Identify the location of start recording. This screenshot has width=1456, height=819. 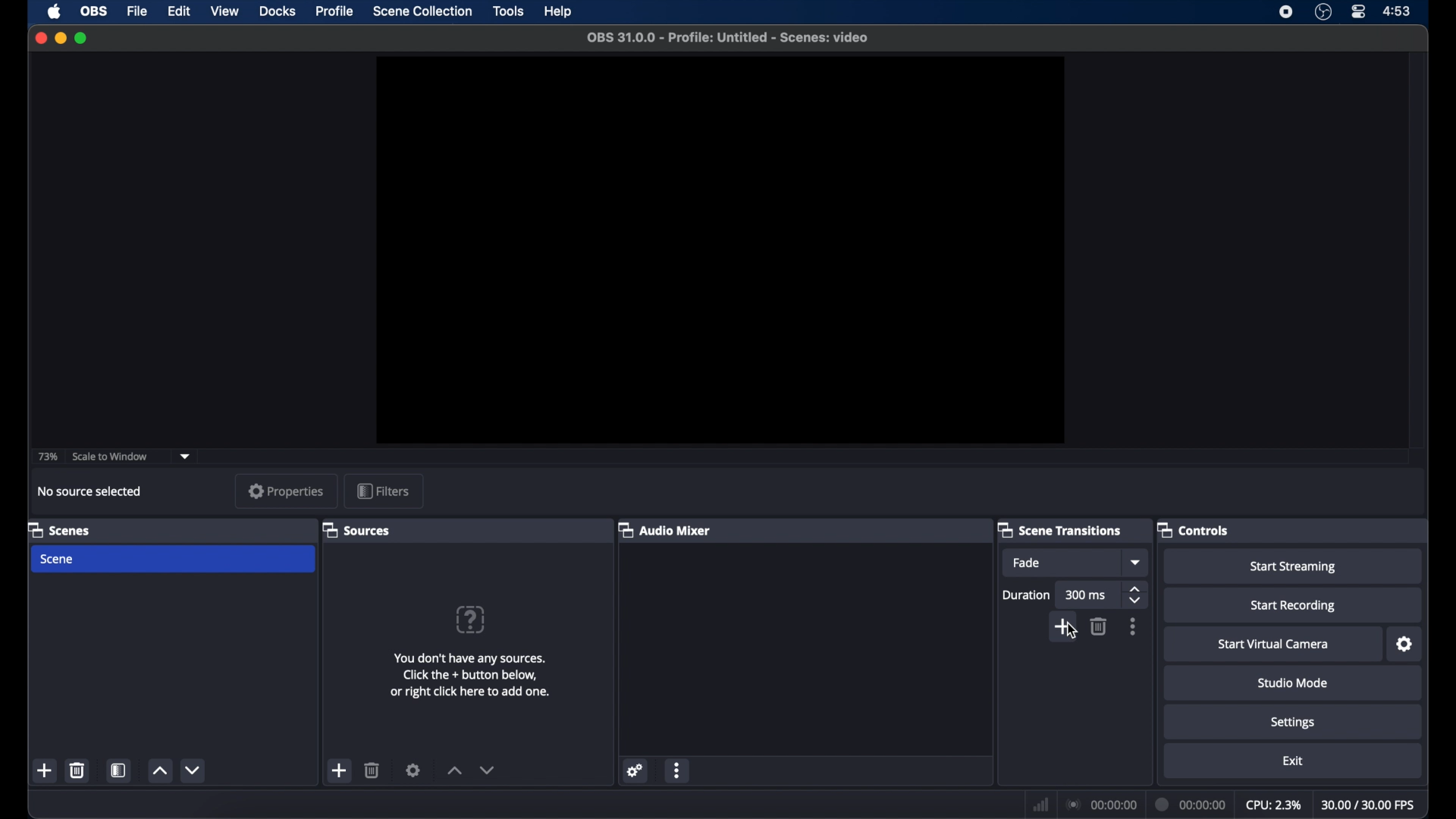
(1295, 606).